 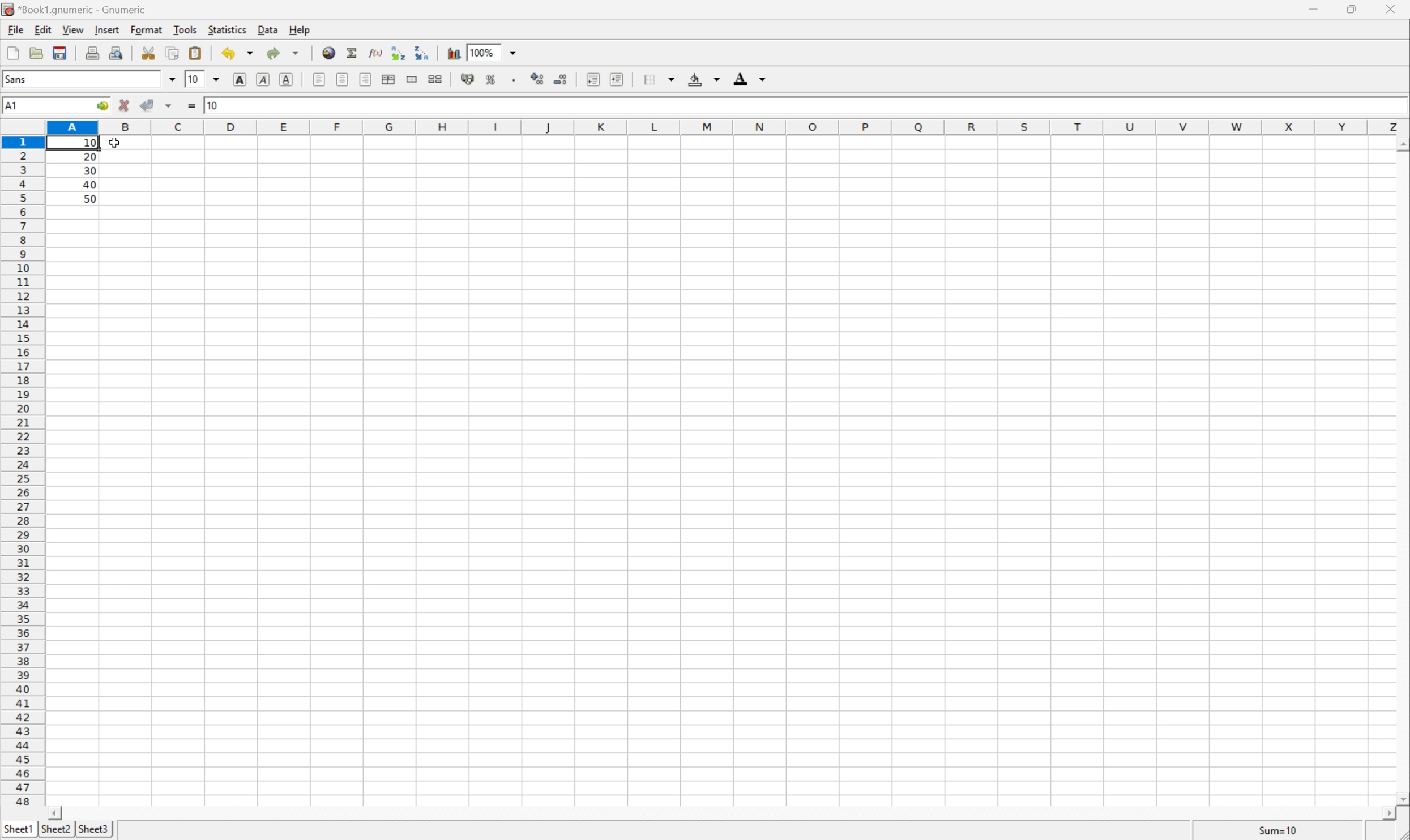 What do you see at coordinates (93, 830) in the screenshot?
I see `Sheet3` at bounding box center [93, 830].